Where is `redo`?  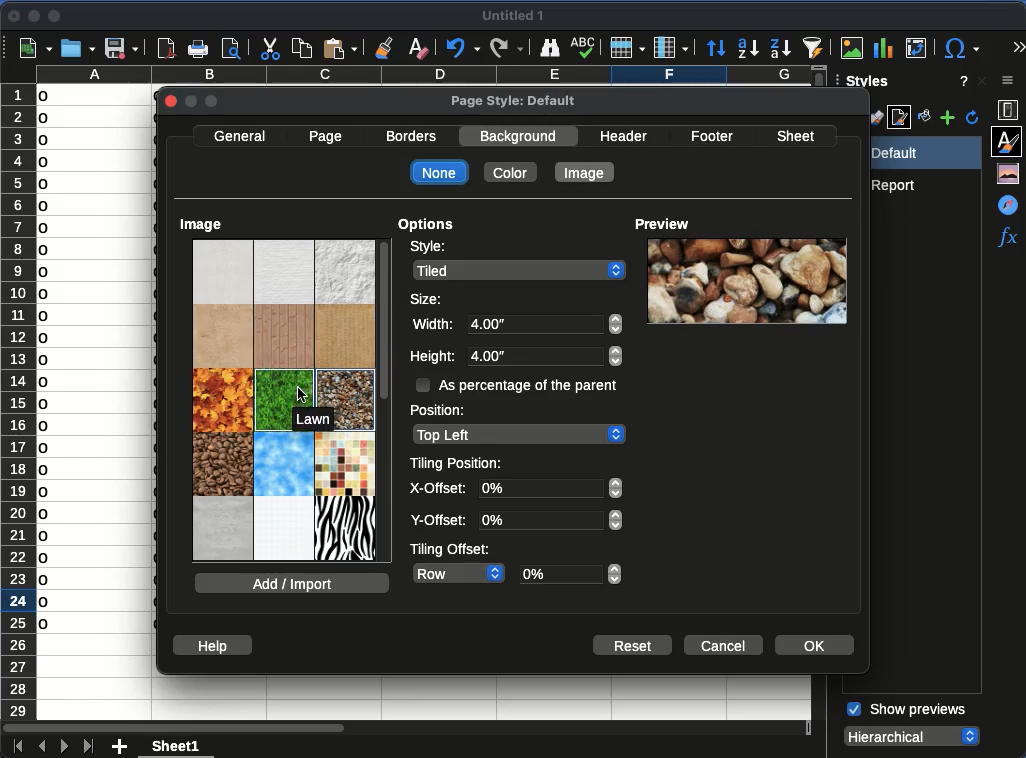 redo is located at coordinates (506, 46).